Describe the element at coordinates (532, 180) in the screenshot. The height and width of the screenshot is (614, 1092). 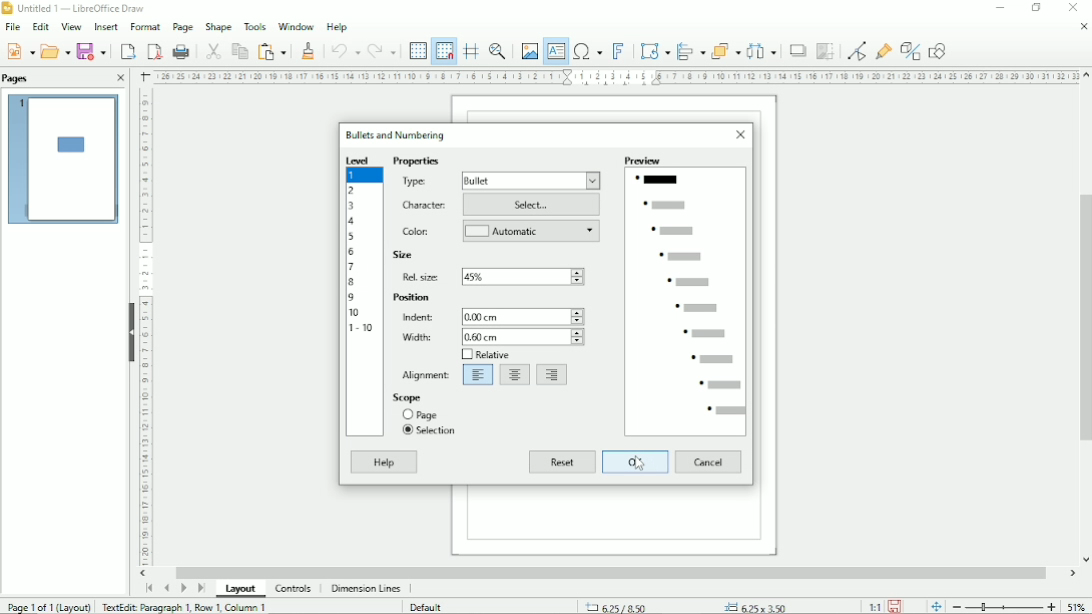
I see `Bullet` at that location.